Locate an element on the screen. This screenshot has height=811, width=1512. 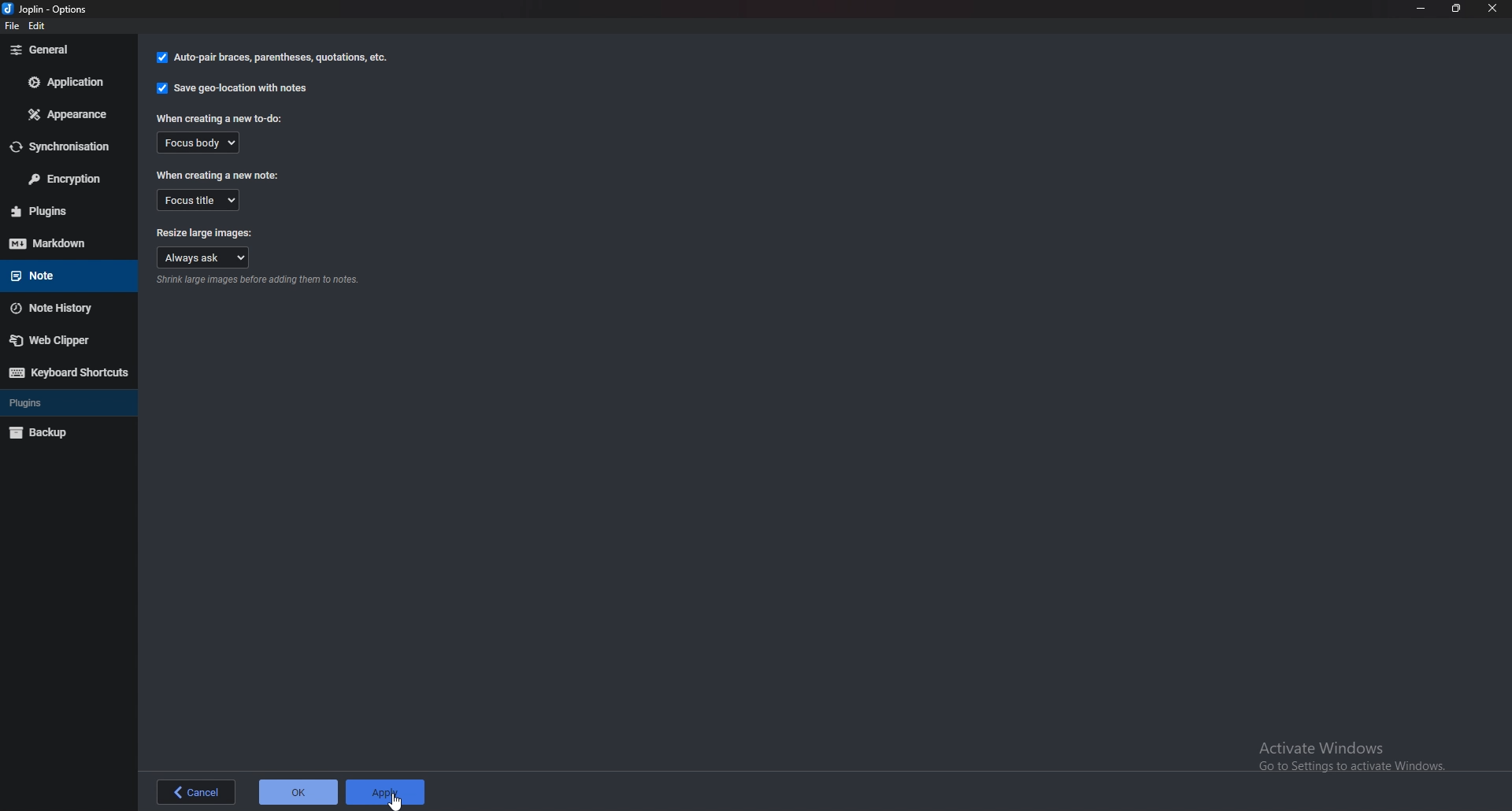
Activate windows pop up is located at coordinates (1355, 757).